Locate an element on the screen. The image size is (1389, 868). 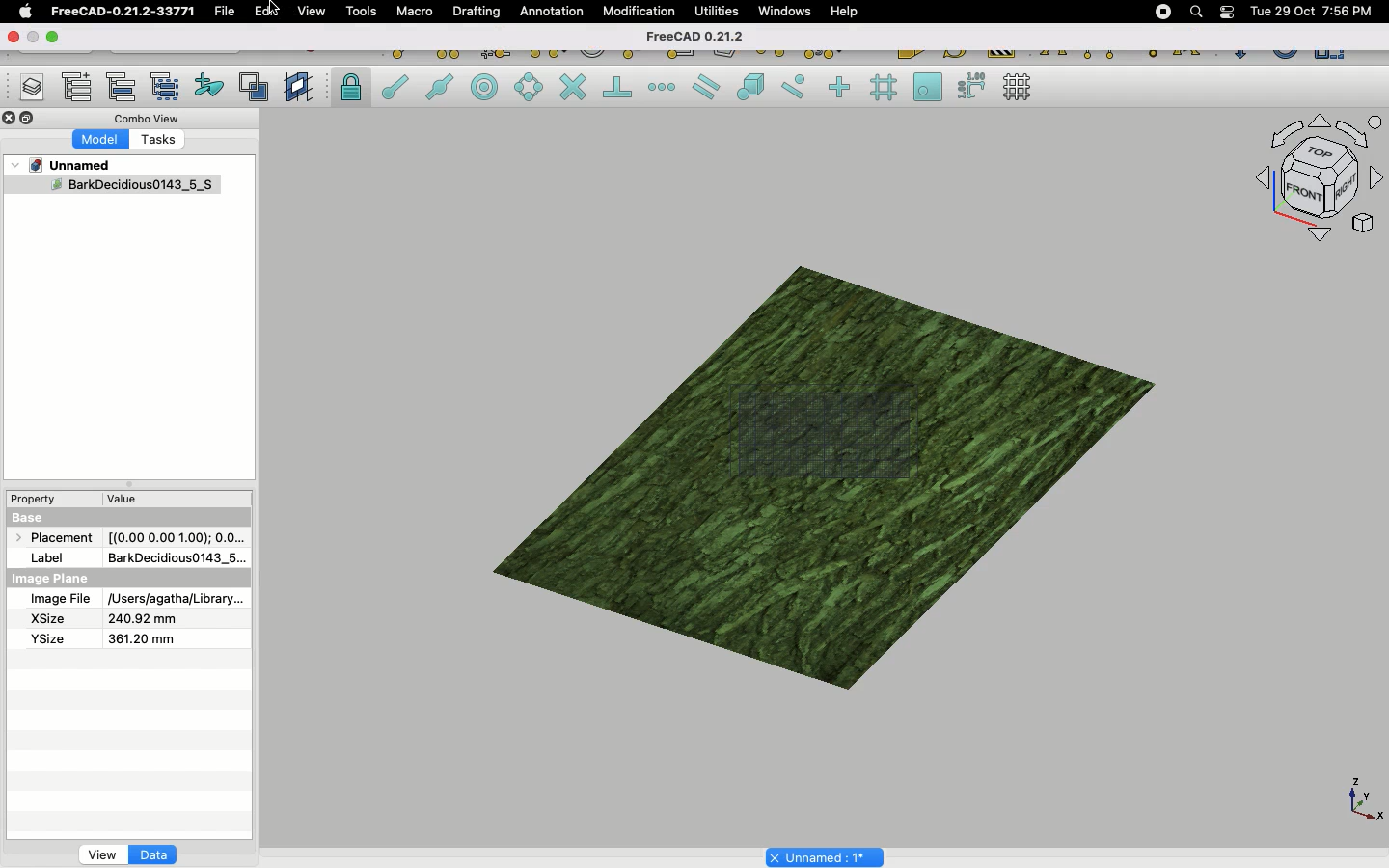
Add new named group is located at coordinates (81, 89).